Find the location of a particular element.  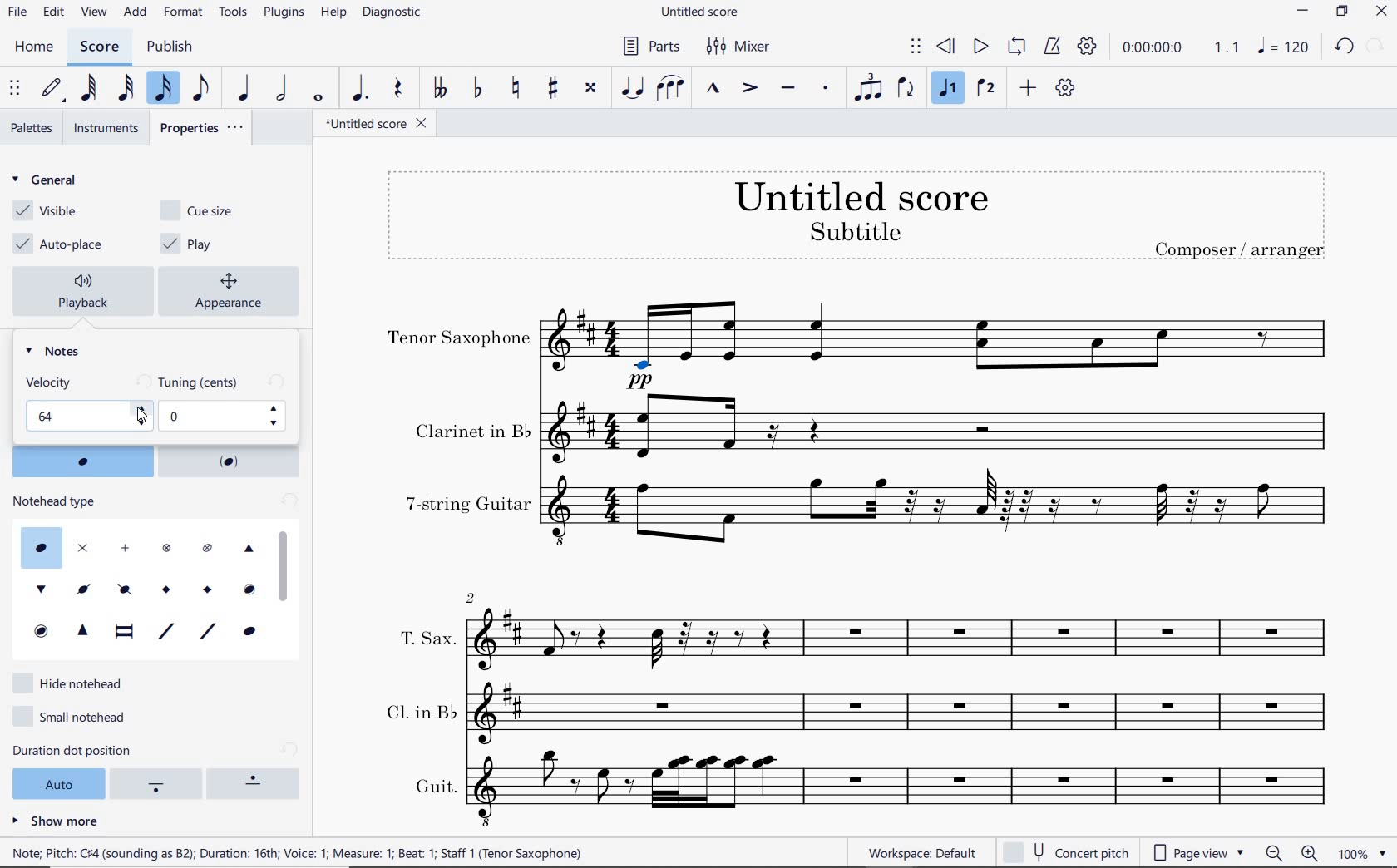

STACCATO is located at coordinates (828, 90).